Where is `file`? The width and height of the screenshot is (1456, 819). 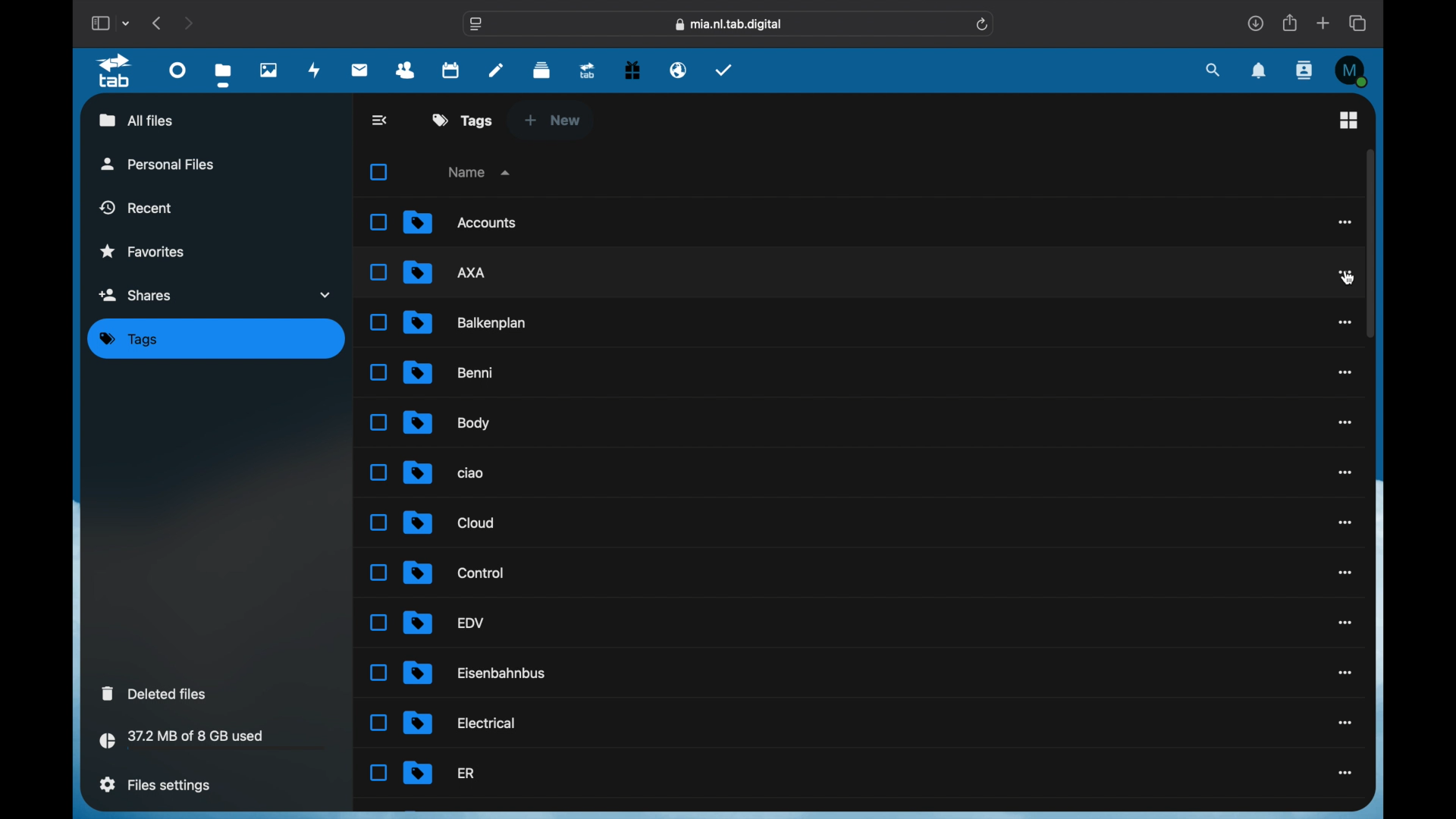 file is located at coordinates (449, 522).